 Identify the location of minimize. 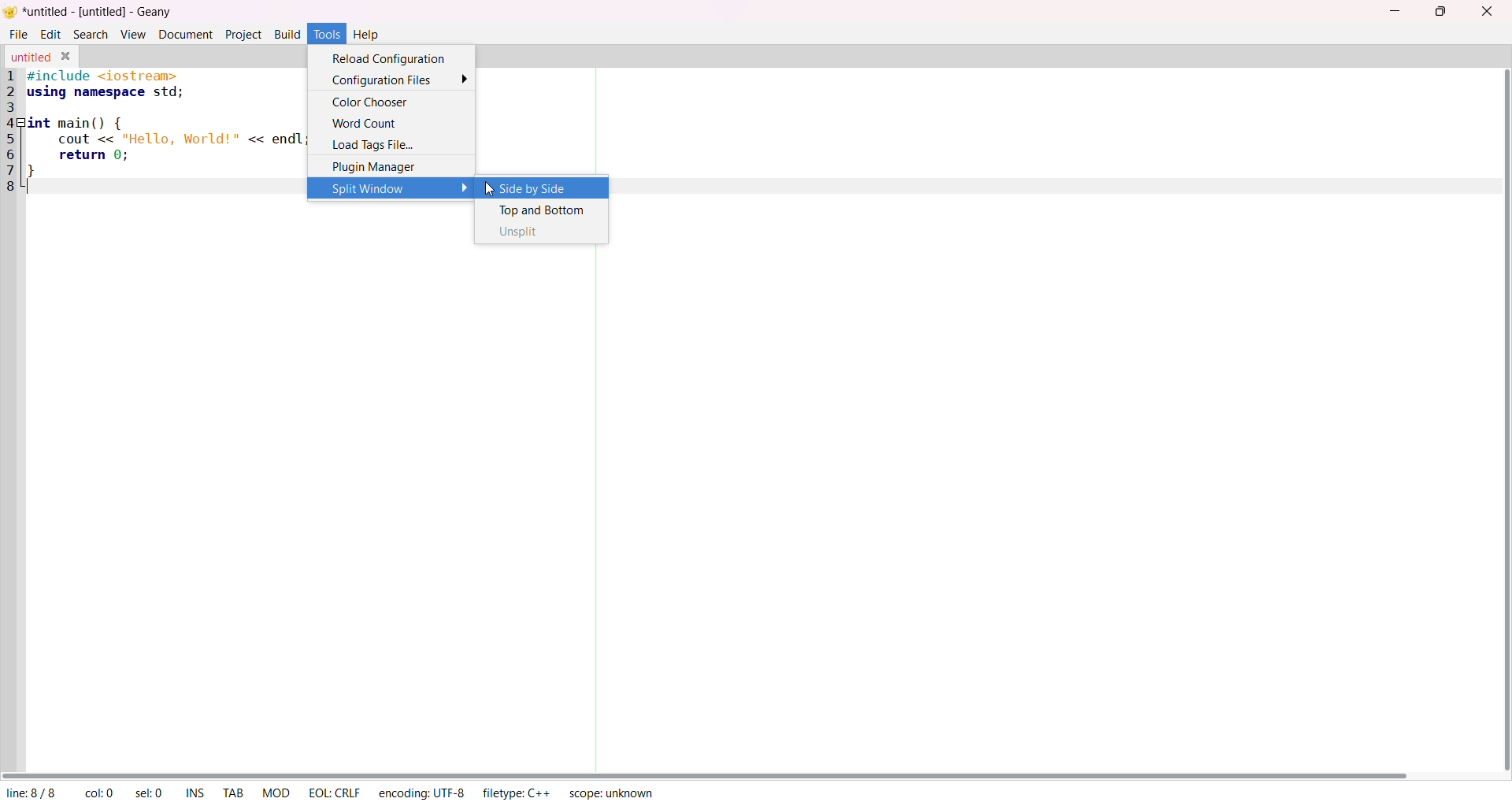
(1392, 13).